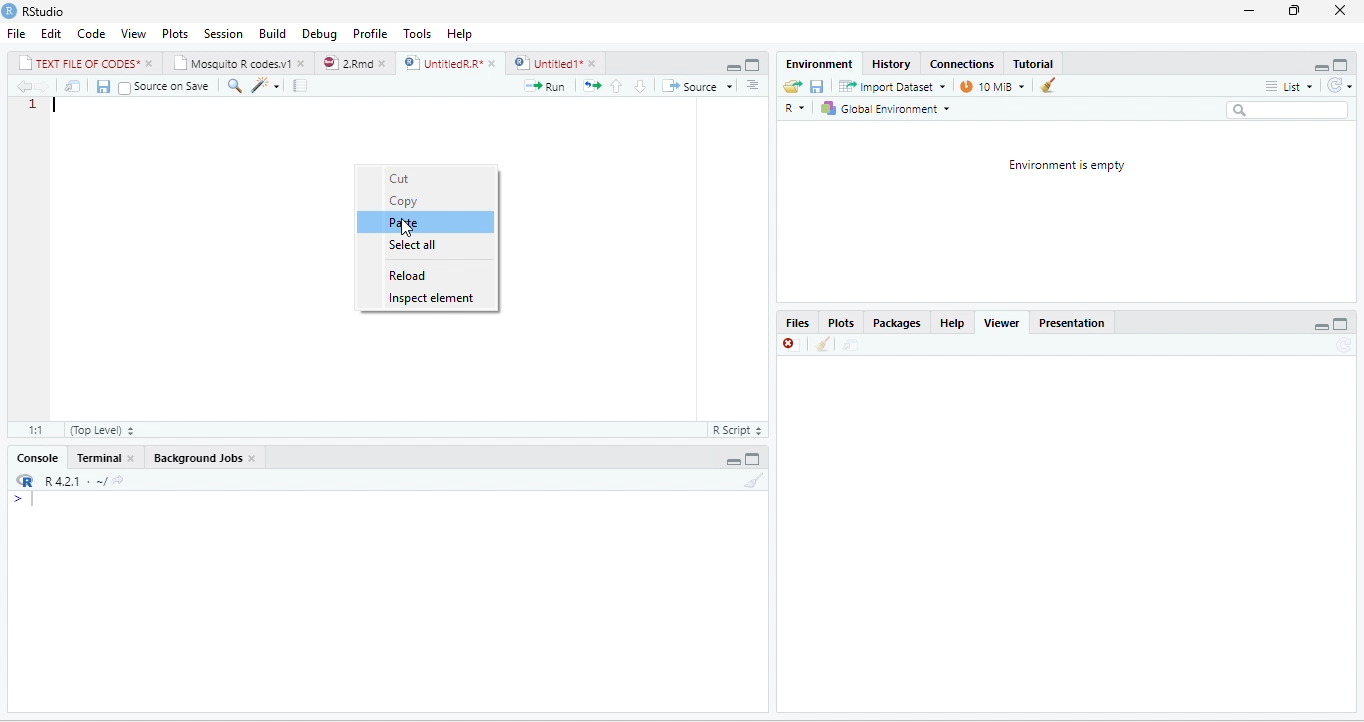  What do you see at coordinates (817, 64) in the screenshot?
I see `‘Environment` at bounding box center [817, 64].